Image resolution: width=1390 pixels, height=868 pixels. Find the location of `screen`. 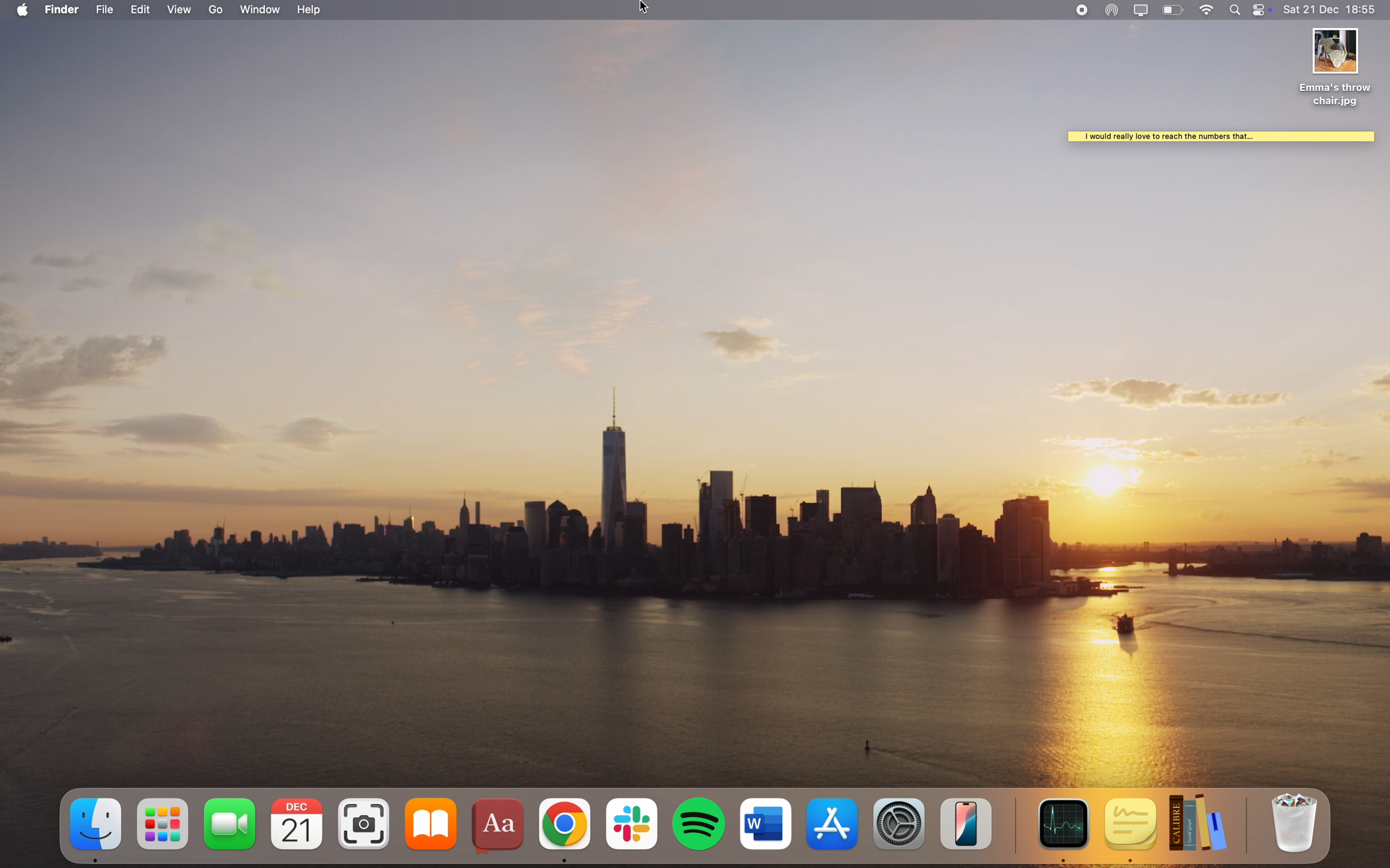

screen is located at coordinates (1141, 10).